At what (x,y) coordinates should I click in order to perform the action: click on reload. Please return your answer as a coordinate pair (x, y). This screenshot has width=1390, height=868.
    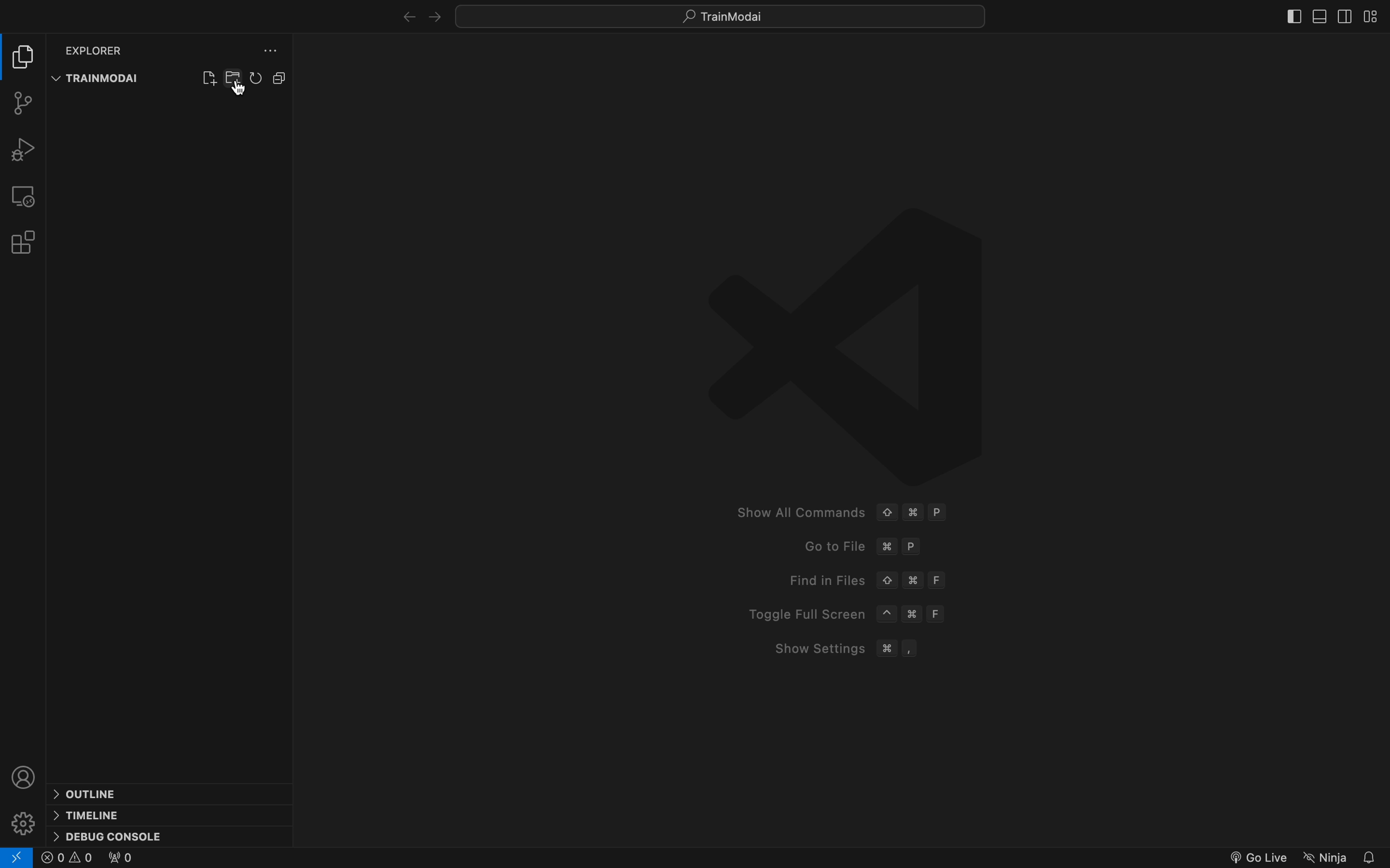
    Looking at the image, I should click on (257, 77).